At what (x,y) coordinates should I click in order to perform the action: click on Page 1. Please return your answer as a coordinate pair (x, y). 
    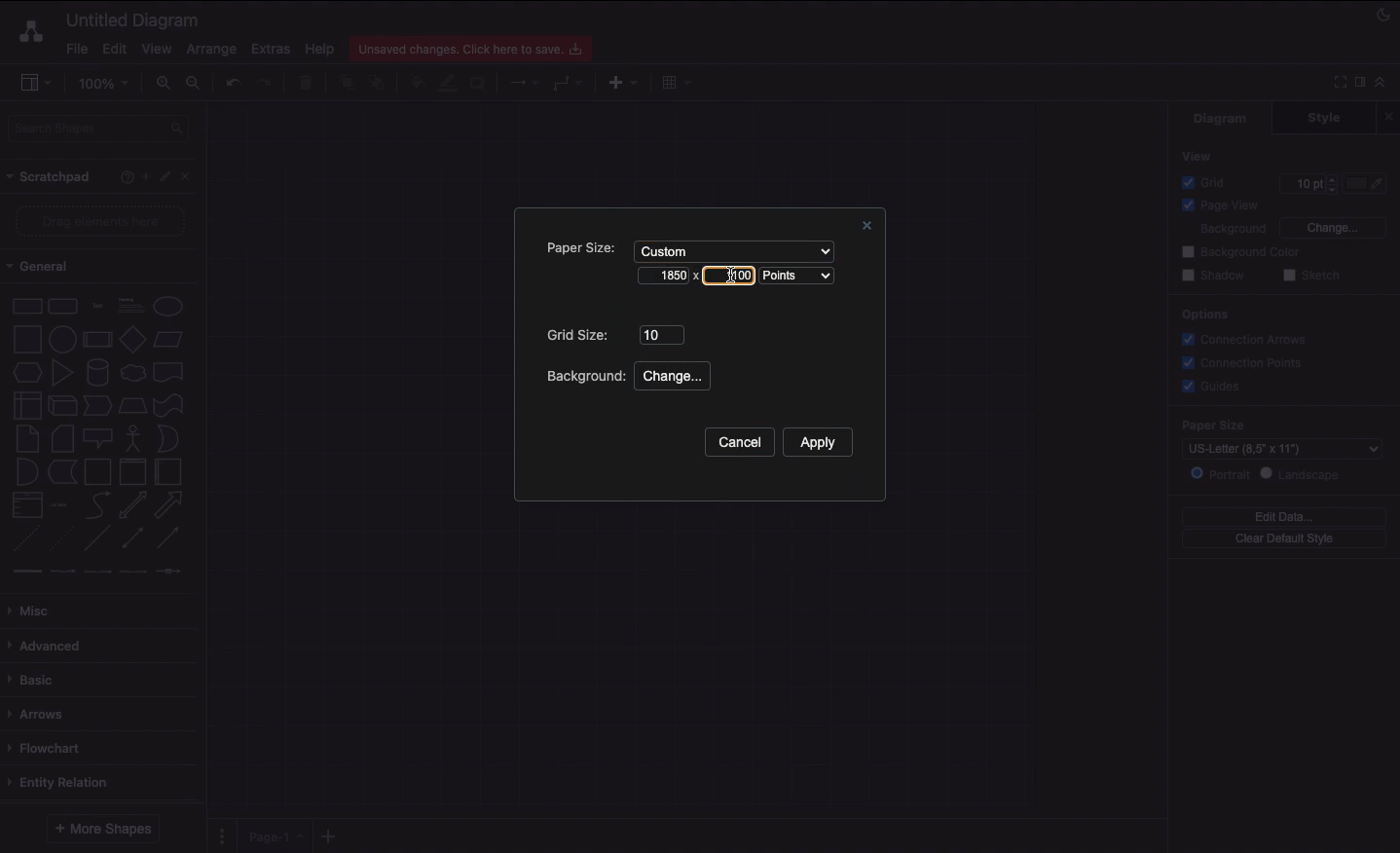
    Looking at the image, I should click on (273, 834).